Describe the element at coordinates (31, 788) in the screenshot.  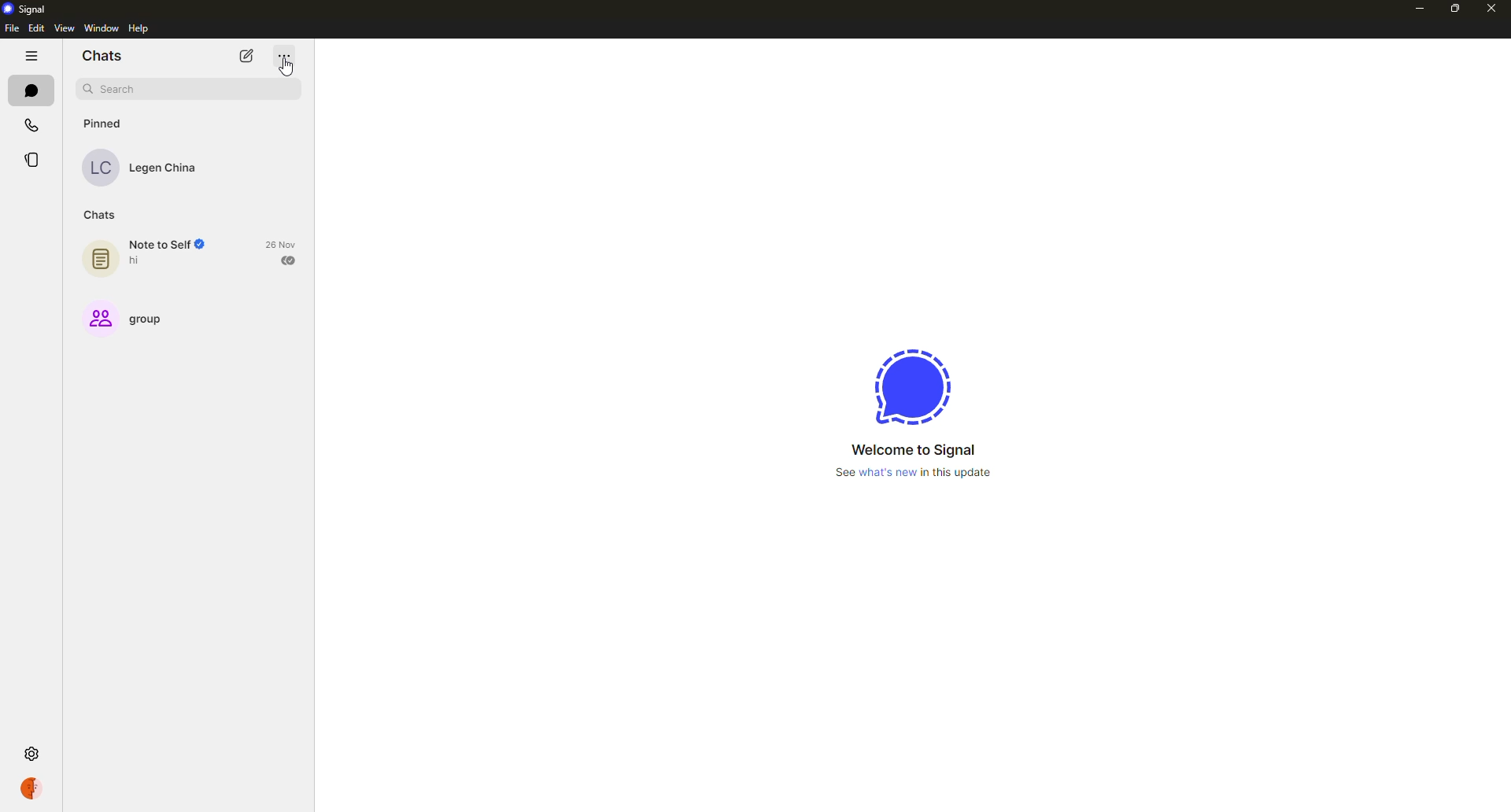
I see `profile` at that location.